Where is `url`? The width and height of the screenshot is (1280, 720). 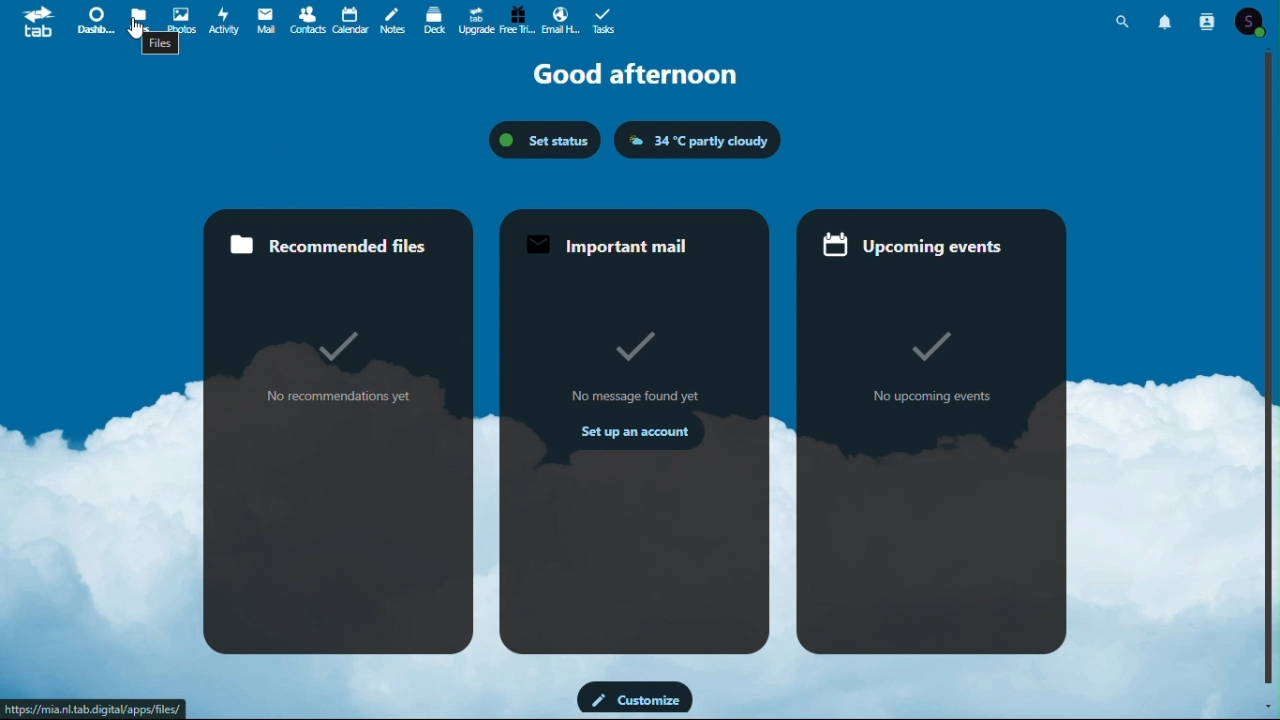 url is located at coordinates (96, 709).